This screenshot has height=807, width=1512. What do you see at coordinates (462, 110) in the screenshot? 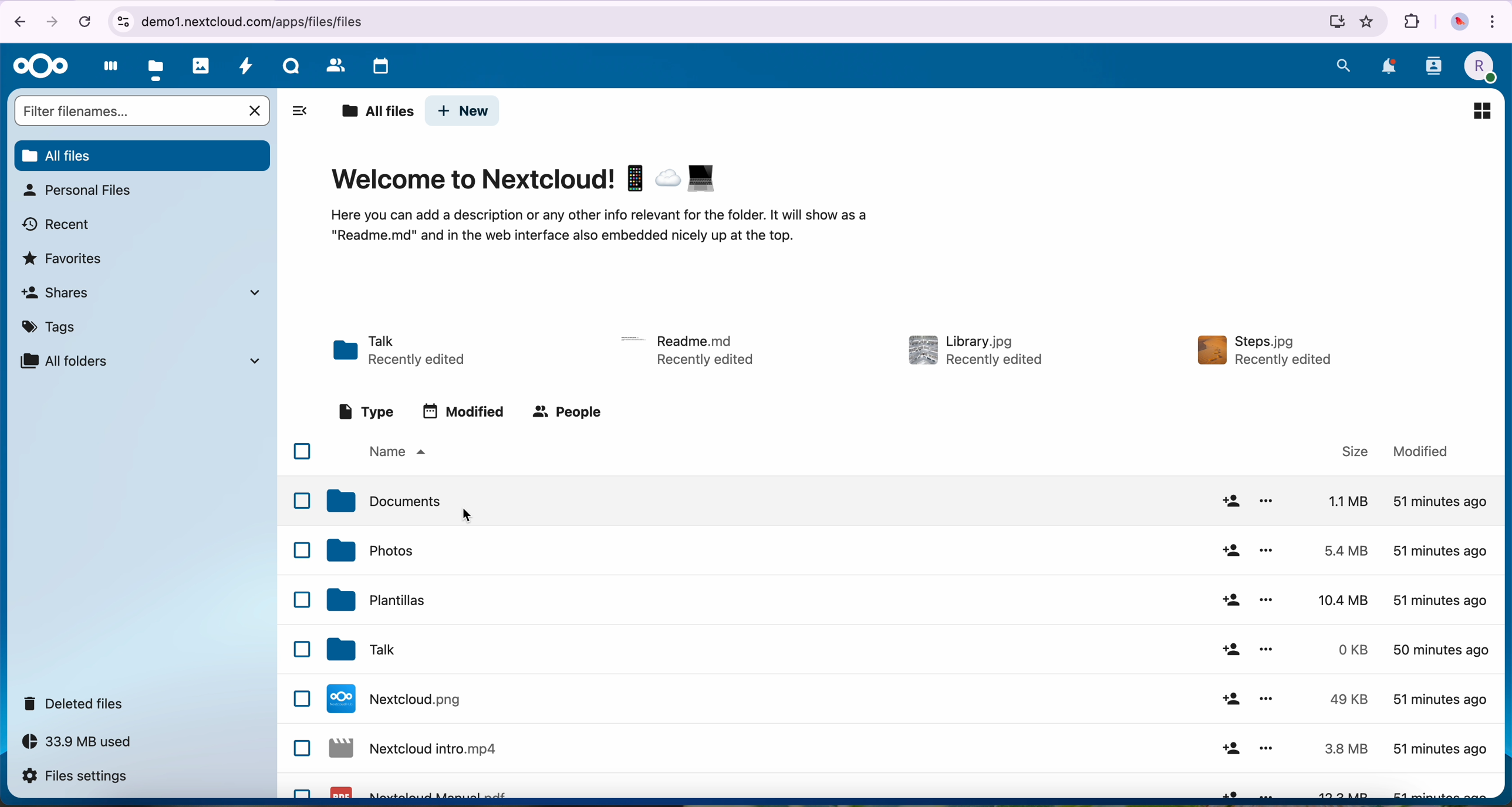
I see `new button` at bounding box center [462, 110].